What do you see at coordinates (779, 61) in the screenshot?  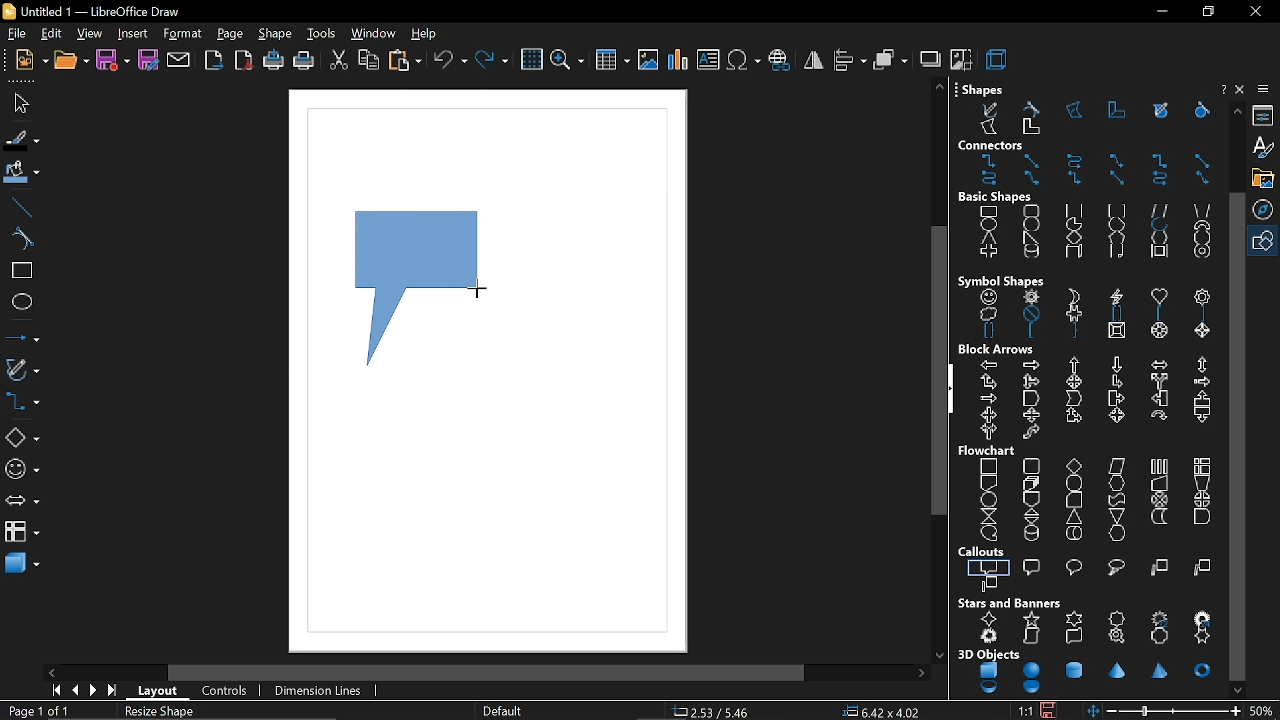 I see `insert hyperlink` at bounding box center [779, 61].